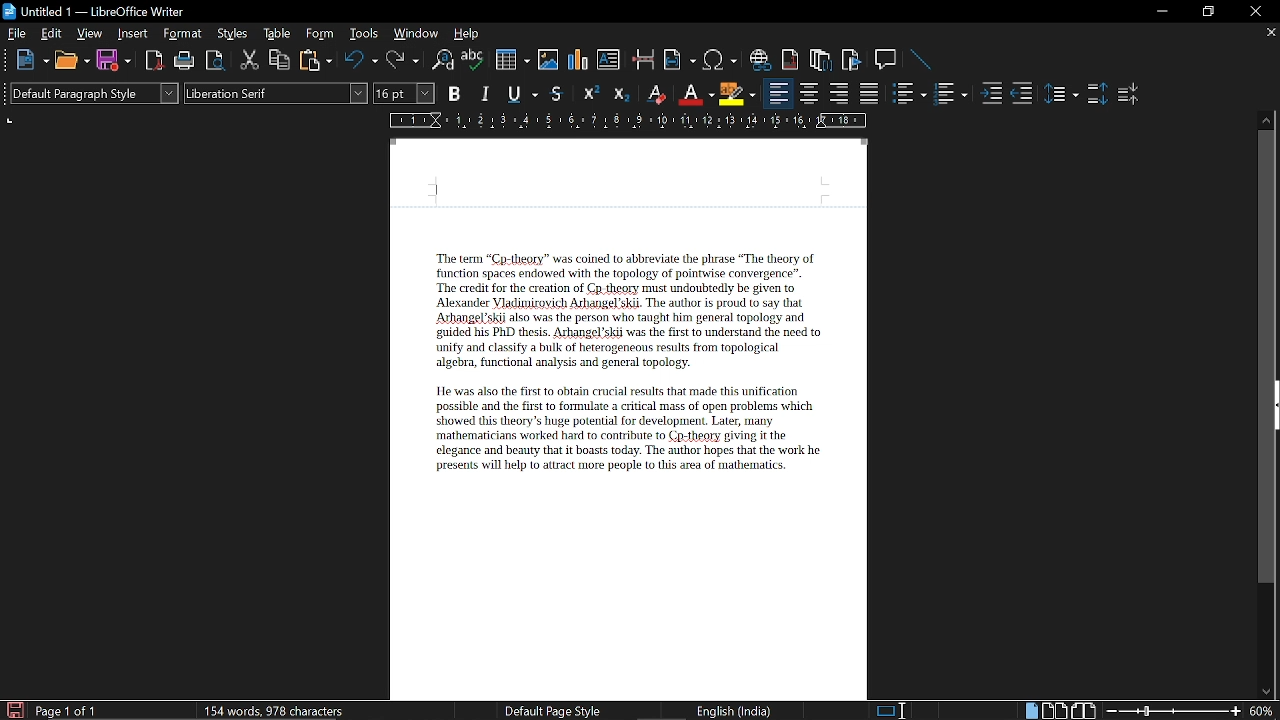  Describe the element at coordinates (695, 94) in the screenshot. I see `Underline` at that location.